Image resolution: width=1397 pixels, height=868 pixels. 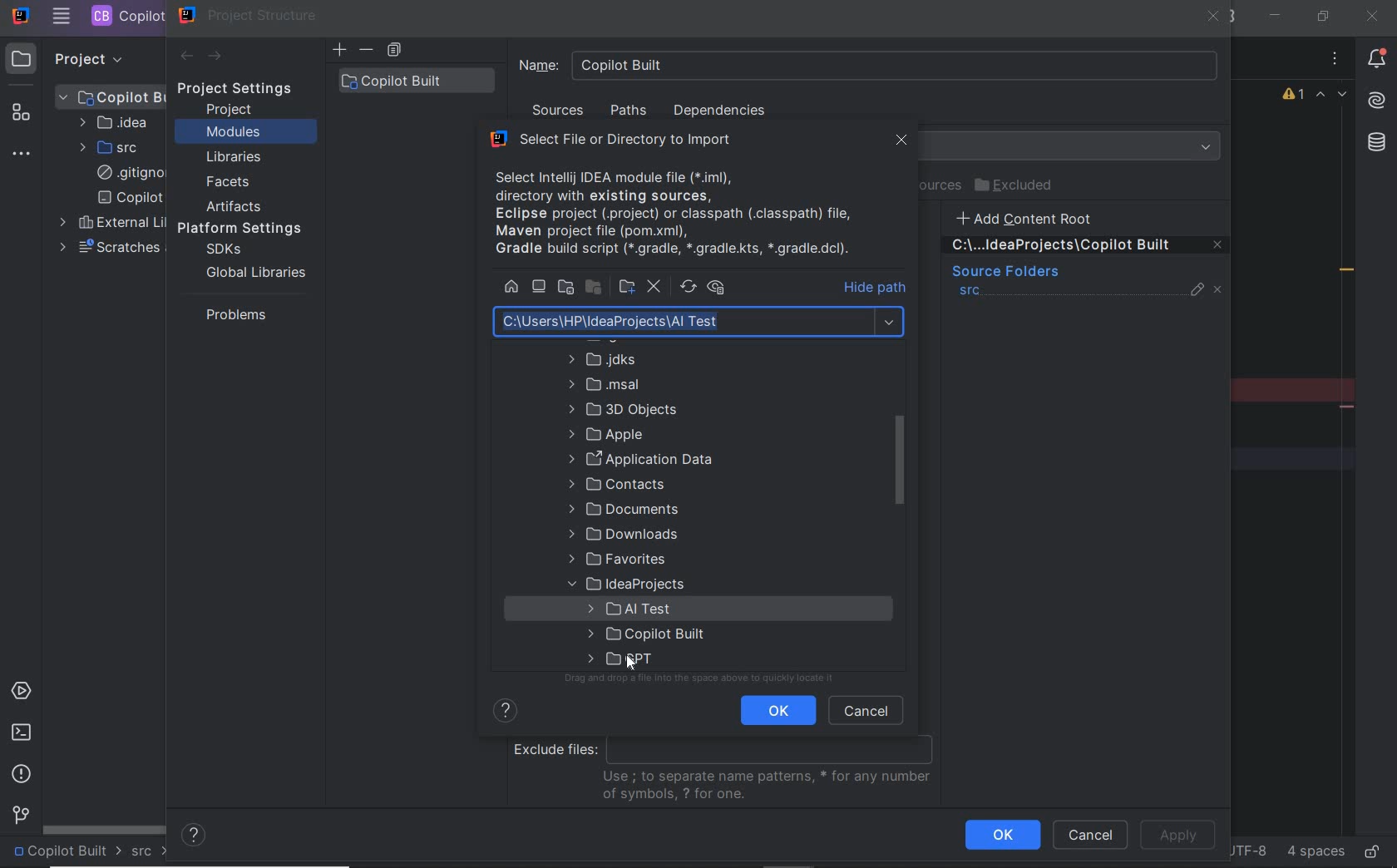 I want to click on problems, so click(x=232, y=314).